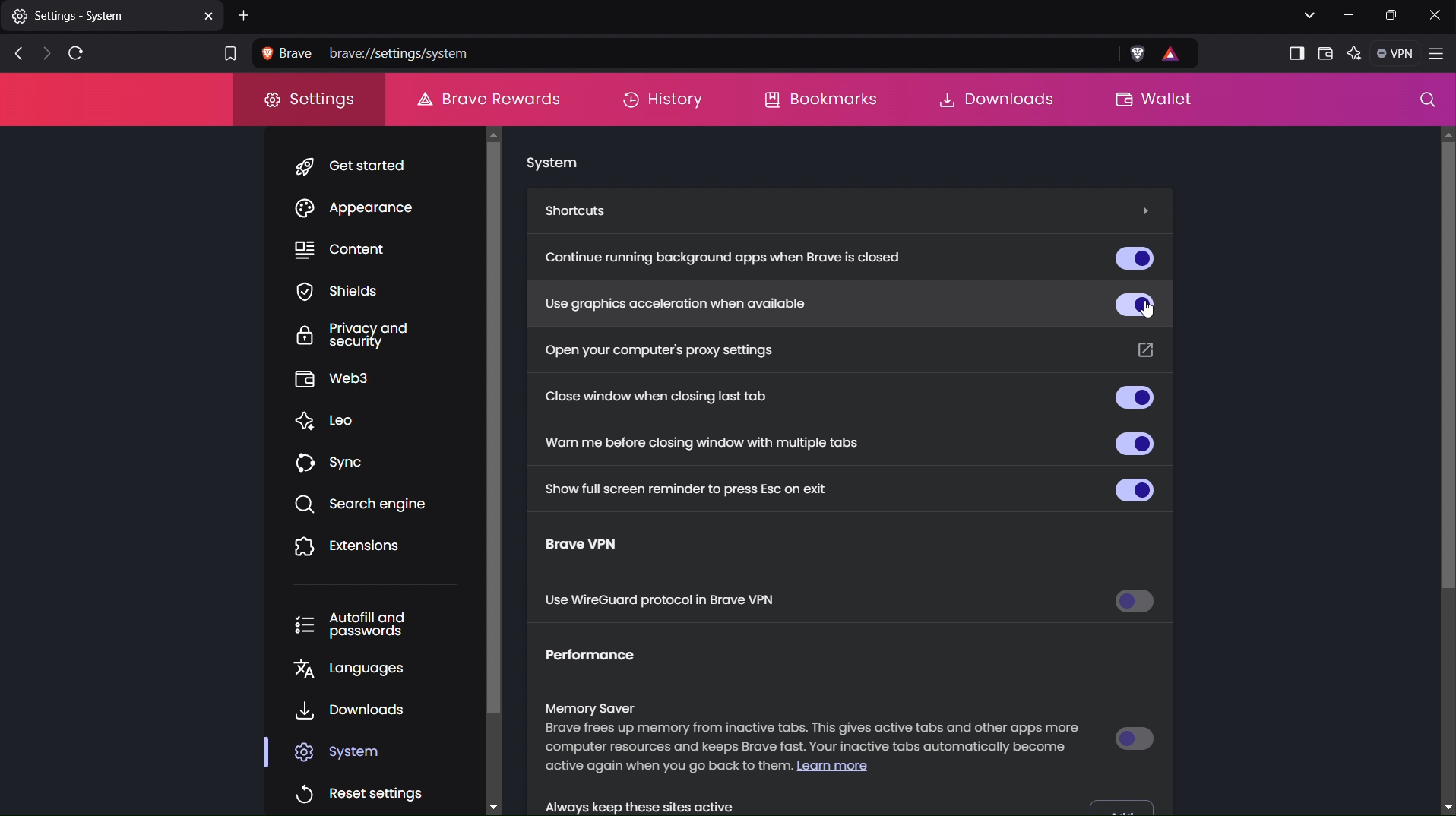  What do you see at coordinates (1124, 804) in the screenshot?
I see `Button` at bounding box center [1124, 804].